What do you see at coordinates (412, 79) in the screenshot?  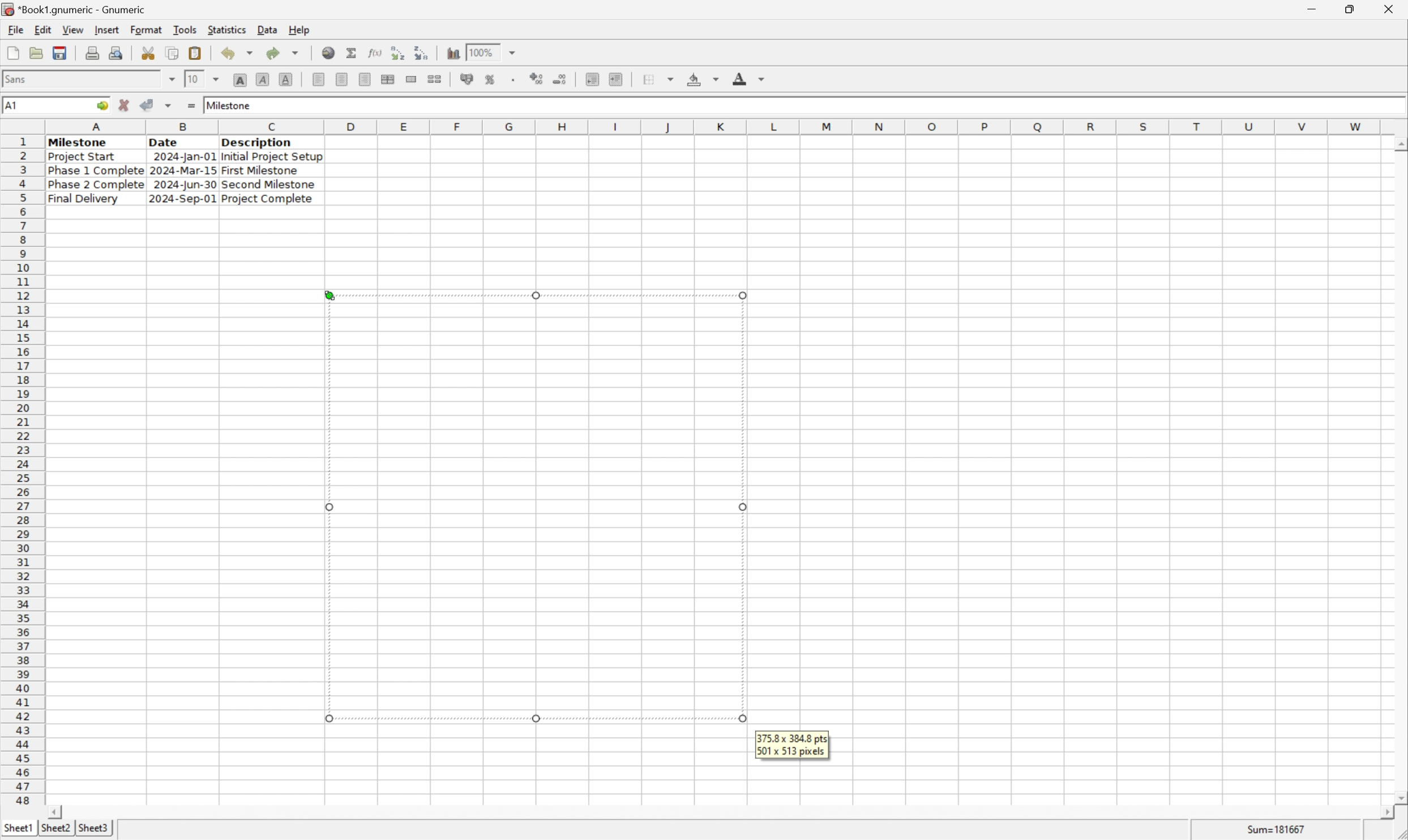 I see `merge a range of cells` at bounding box center [412, 79].